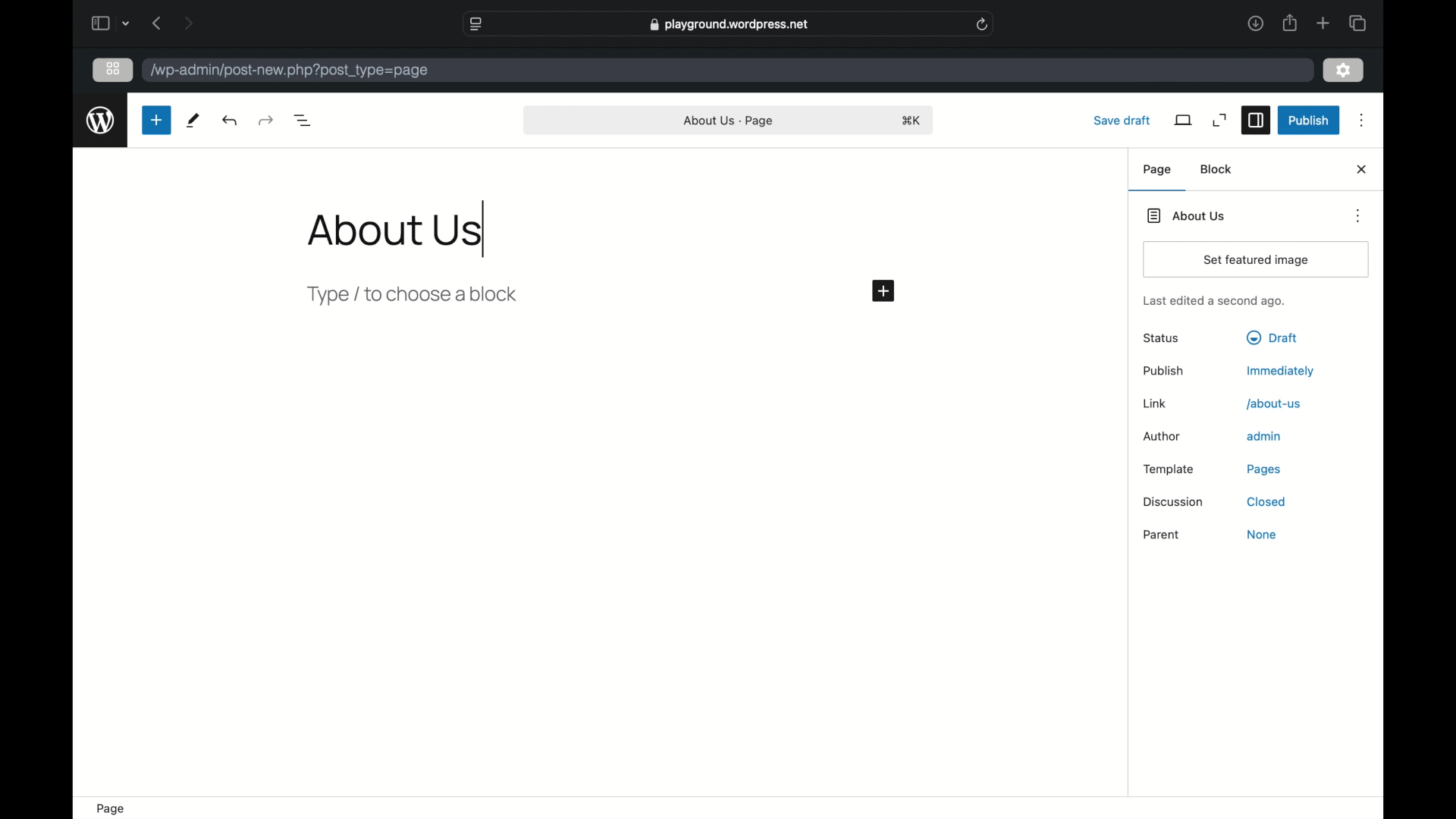 This screenshot has height=819, width=1456. What do you see at coordinates (1257, 260) in the screenshot?
I see `set featured image` at bounding box center [1257, 260].